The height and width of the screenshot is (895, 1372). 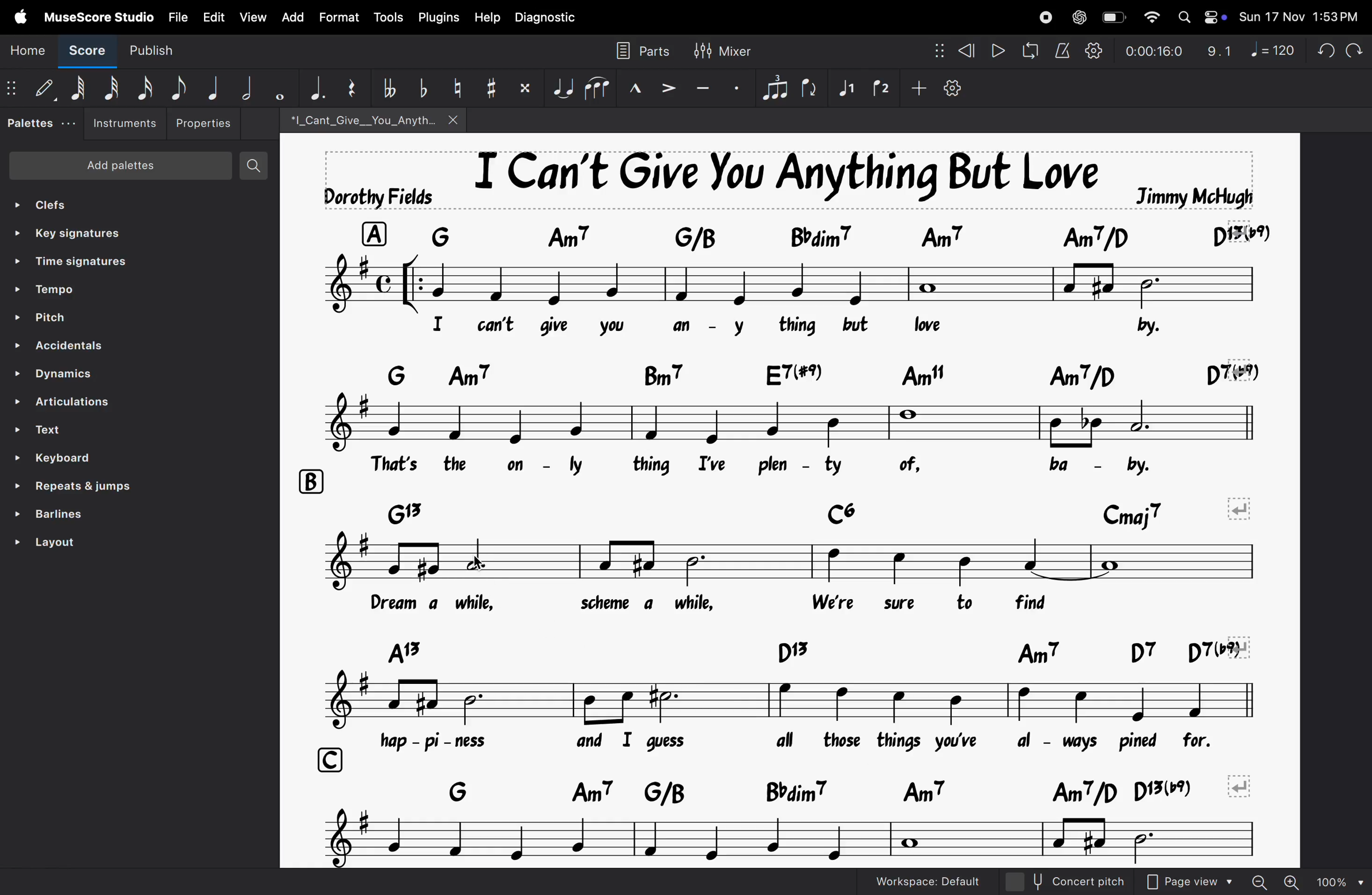 What do you see at coordinates (66, 457) in the screenshot?
I see `keyboard` at bounding box center [66, 457].